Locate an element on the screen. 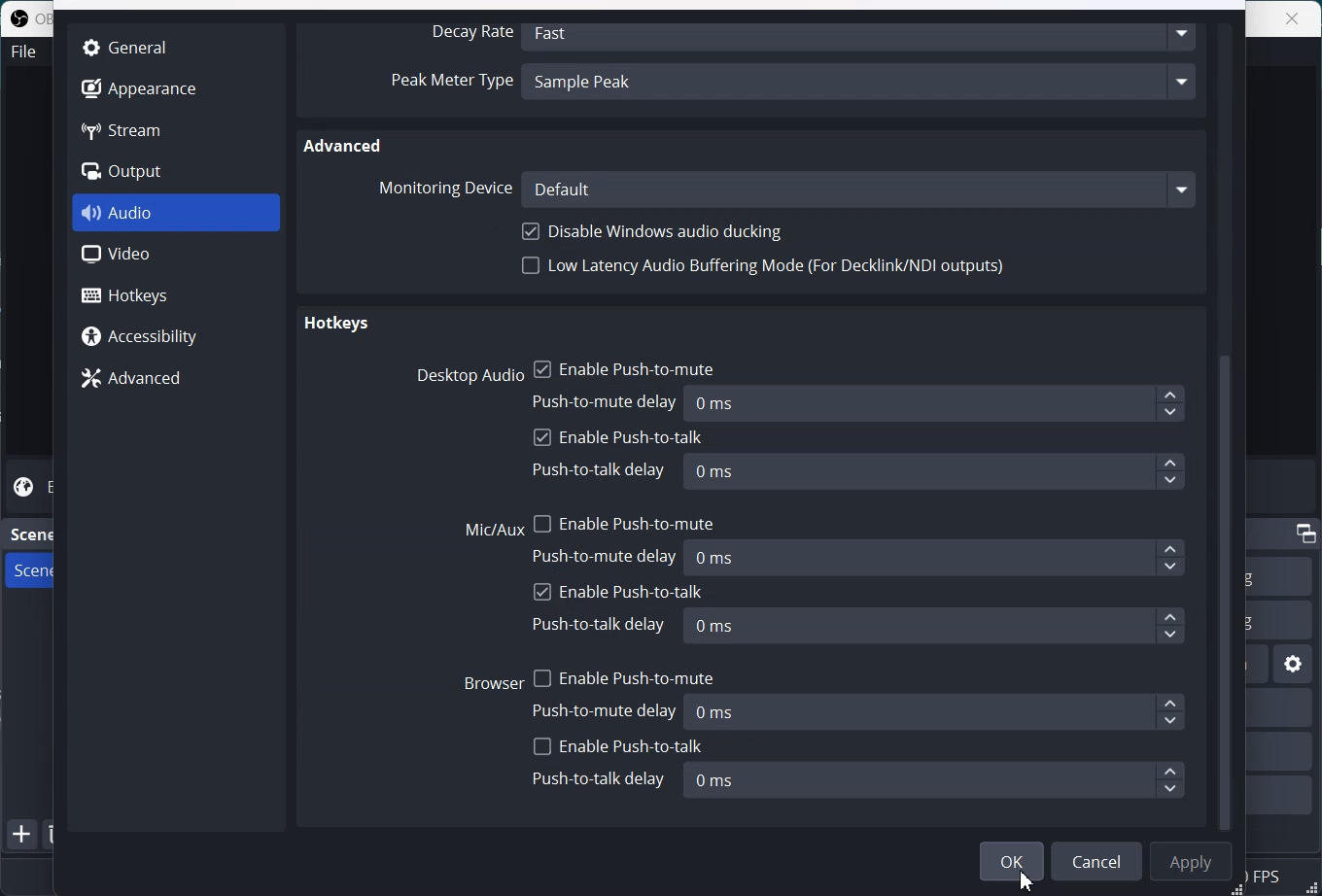 The image size is (1322, 896). Output is located at coordinates (138, 172).